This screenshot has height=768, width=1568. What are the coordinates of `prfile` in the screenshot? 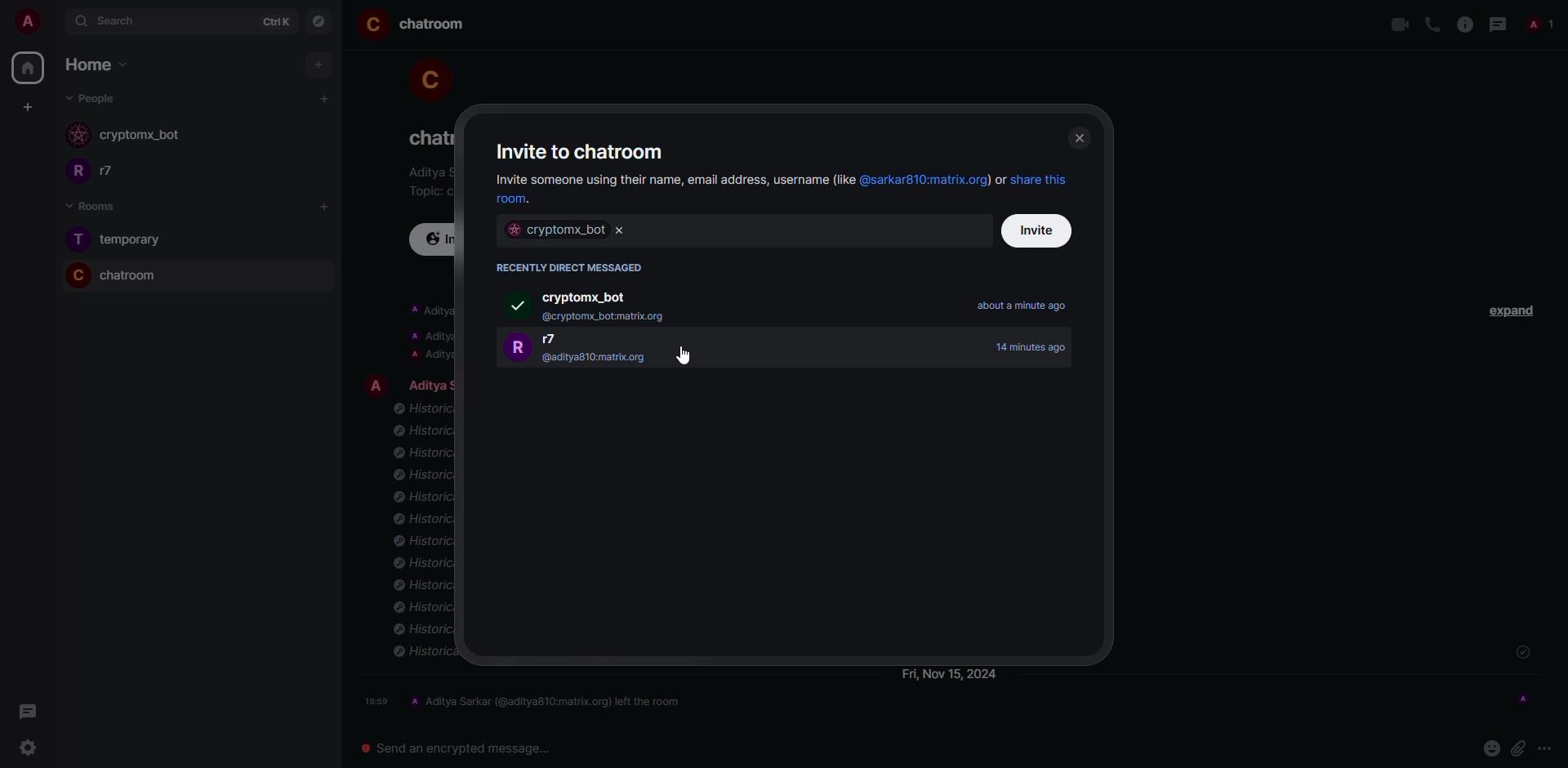 It's located at (517, 348).